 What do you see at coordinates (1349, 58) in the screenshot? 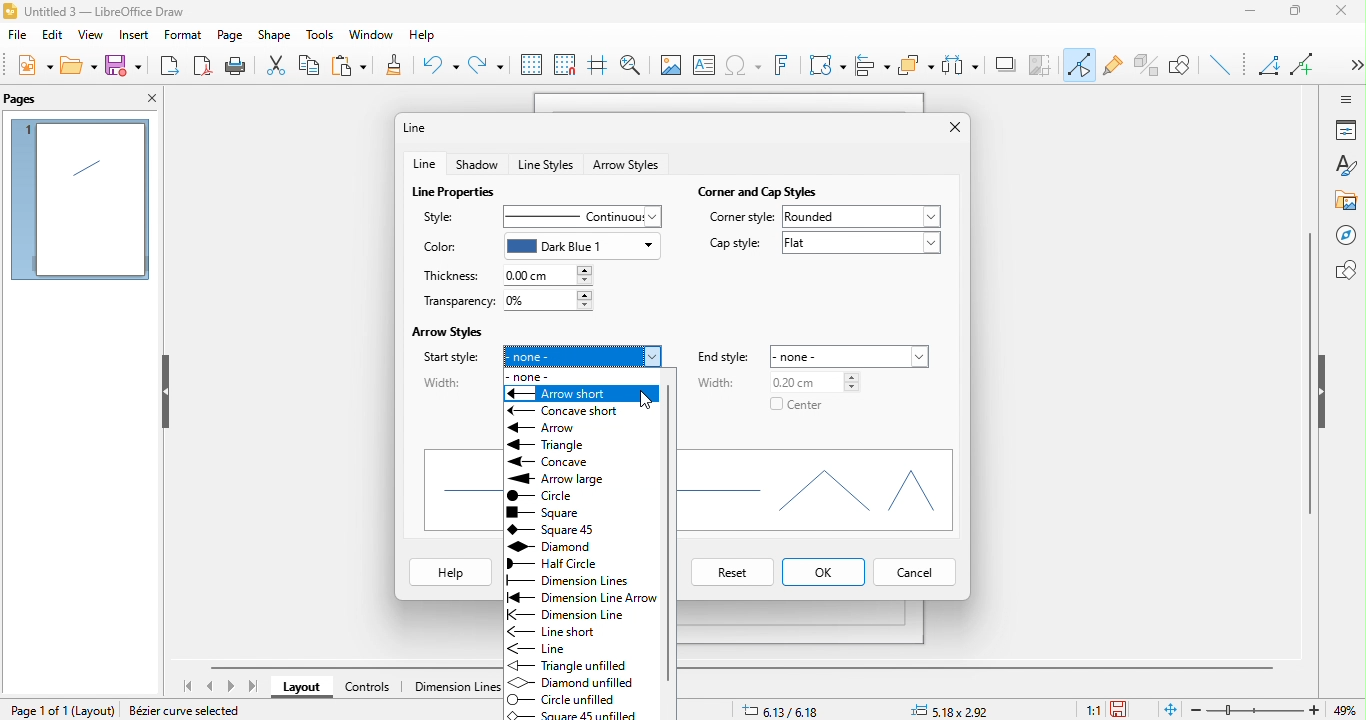
I see `Show more` at bounding box center [1349, 58].